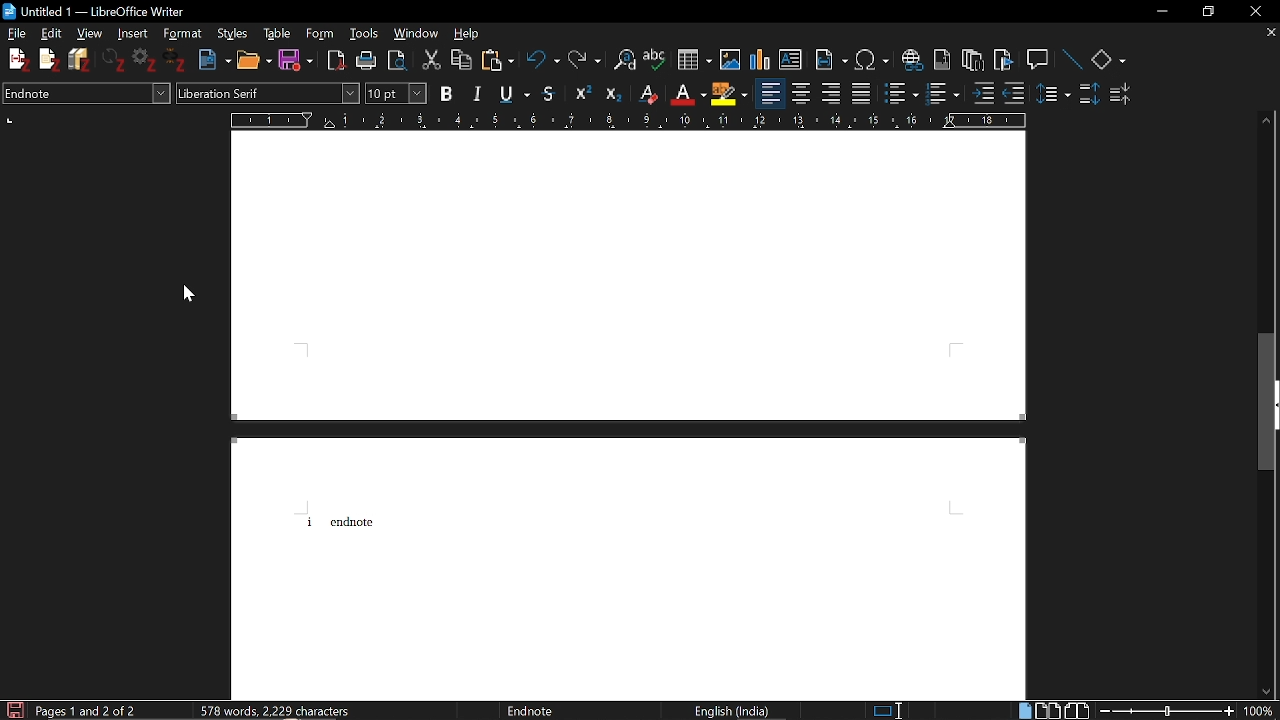 The image size is (1280, 720). I want to click on Subscript, so click(614, 95).